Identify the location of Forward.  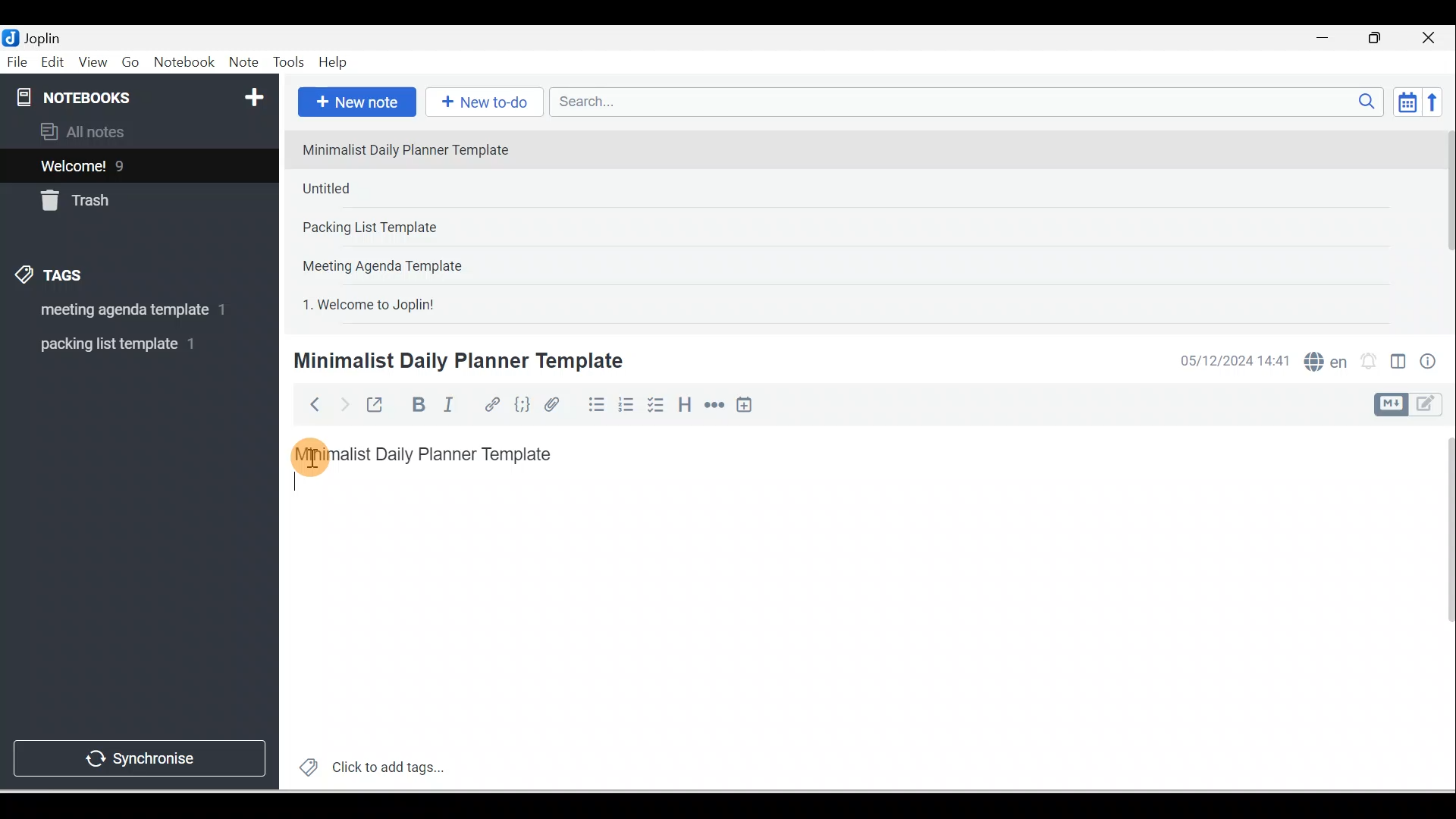
(343, 403).